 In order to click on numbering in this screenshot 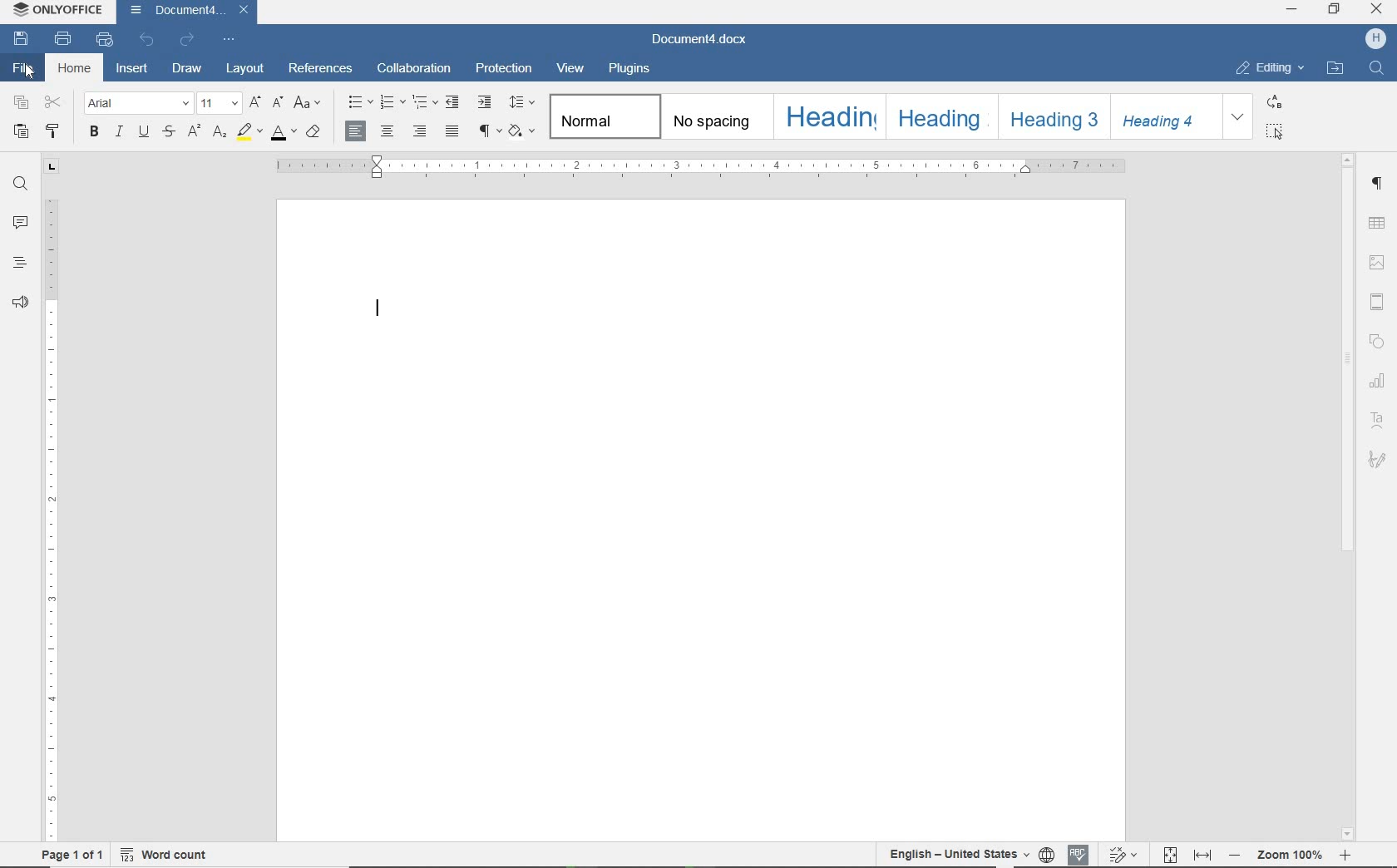, I will do `click(393, 102)`.